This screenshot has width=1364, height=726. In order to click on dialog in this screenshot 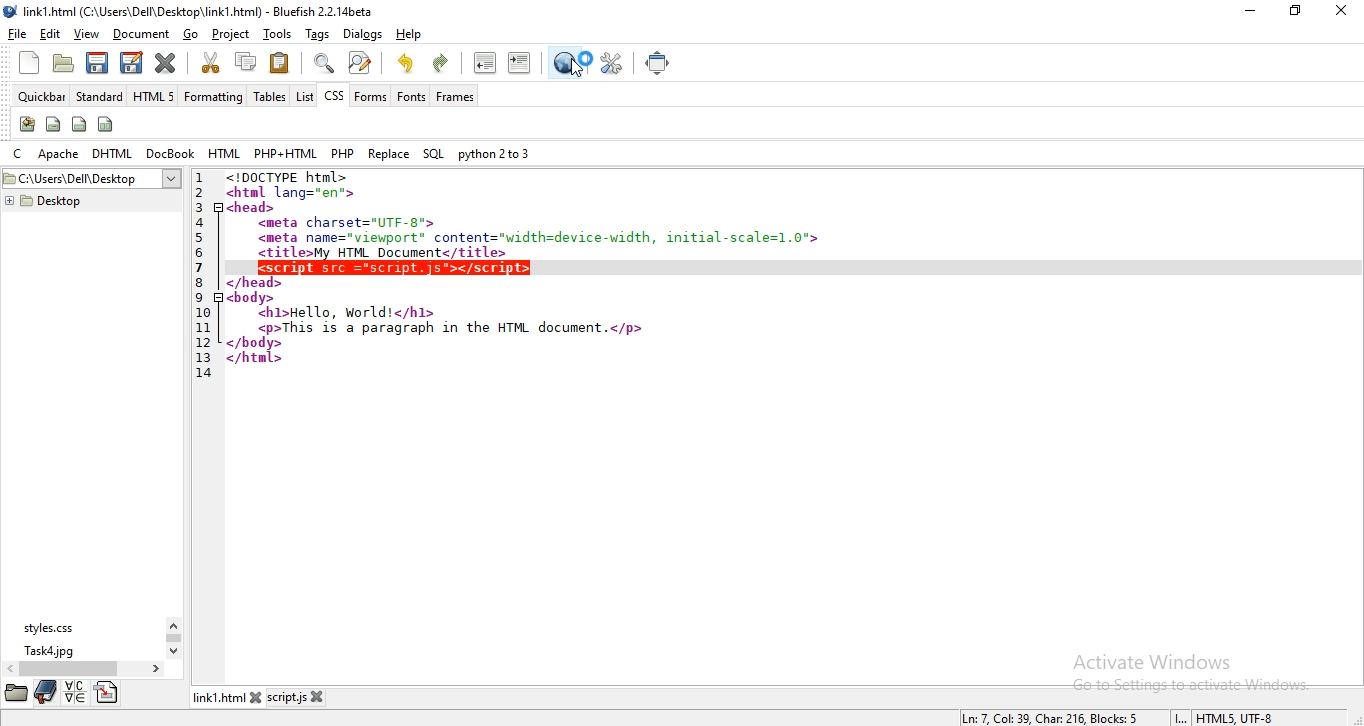, I will do `click(361, 34)`.